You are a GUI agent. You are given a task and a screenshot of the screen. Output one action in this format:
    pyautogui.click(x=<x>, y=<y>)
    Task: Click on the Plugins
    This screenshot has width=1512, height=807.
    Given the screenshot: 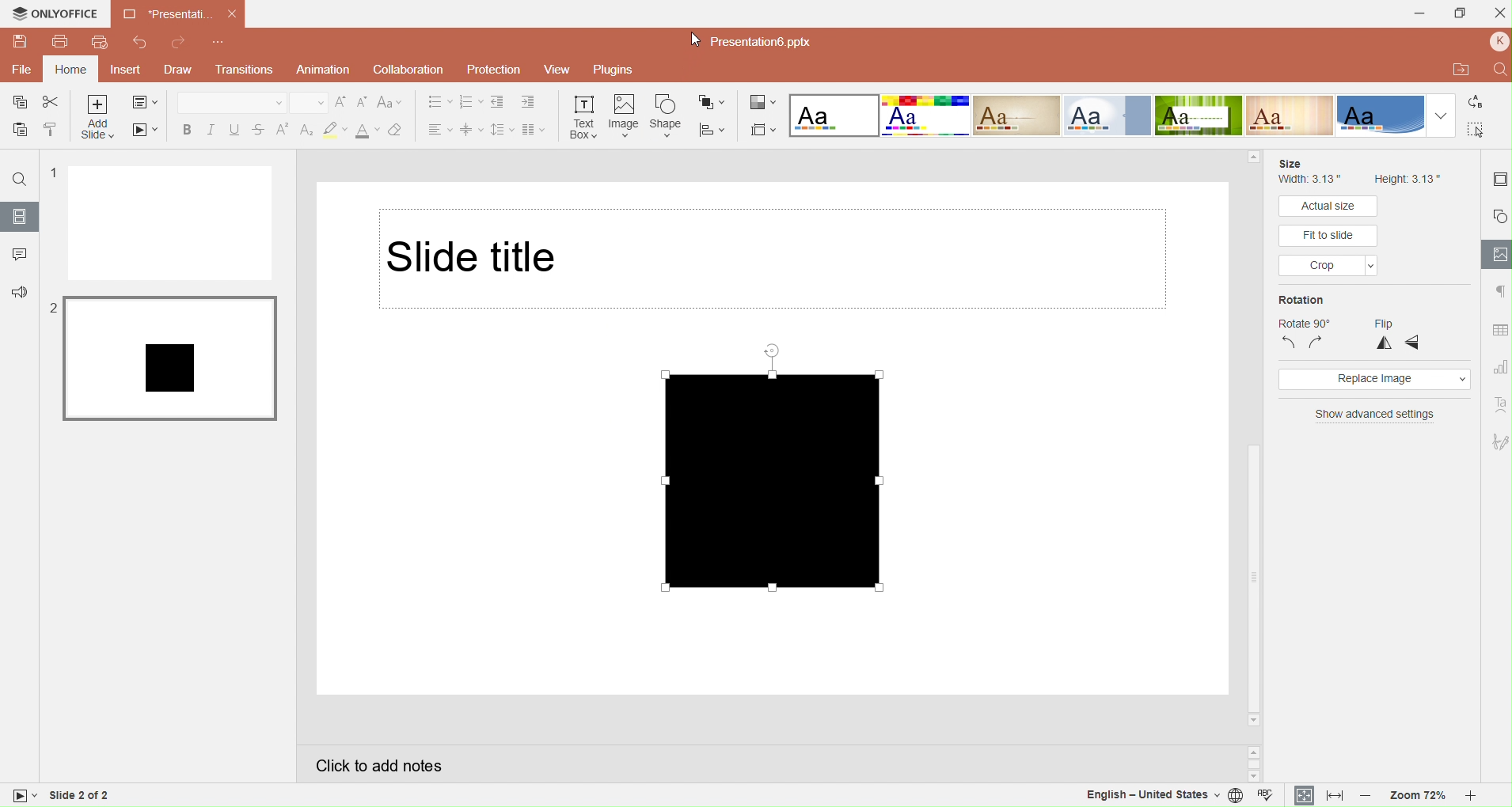 What is the action you would take?
    pyautogui.click(x=613, y=70)
    